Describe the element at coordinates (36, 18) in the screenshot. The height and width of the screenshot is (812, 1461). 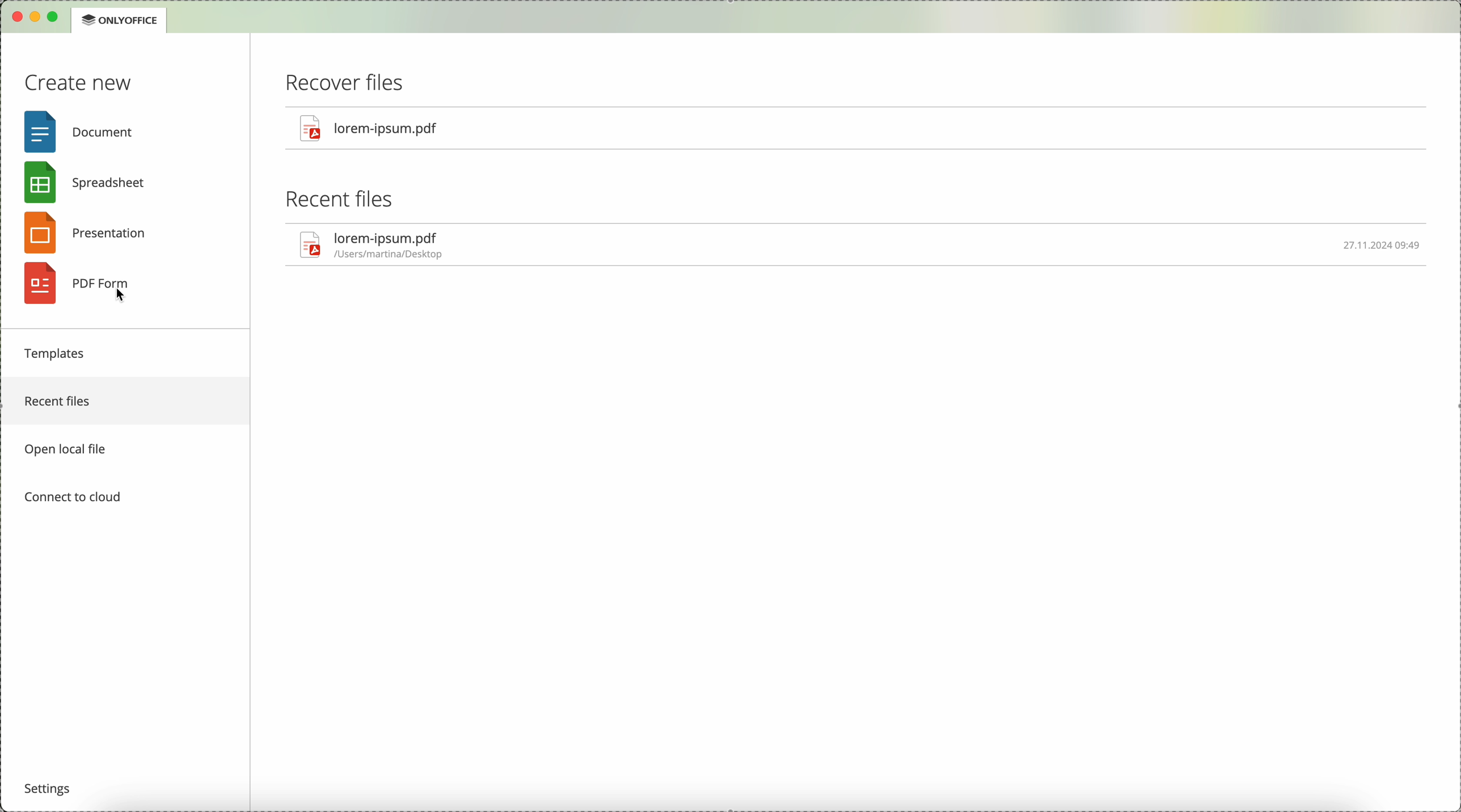
I see `minimize` at that location.